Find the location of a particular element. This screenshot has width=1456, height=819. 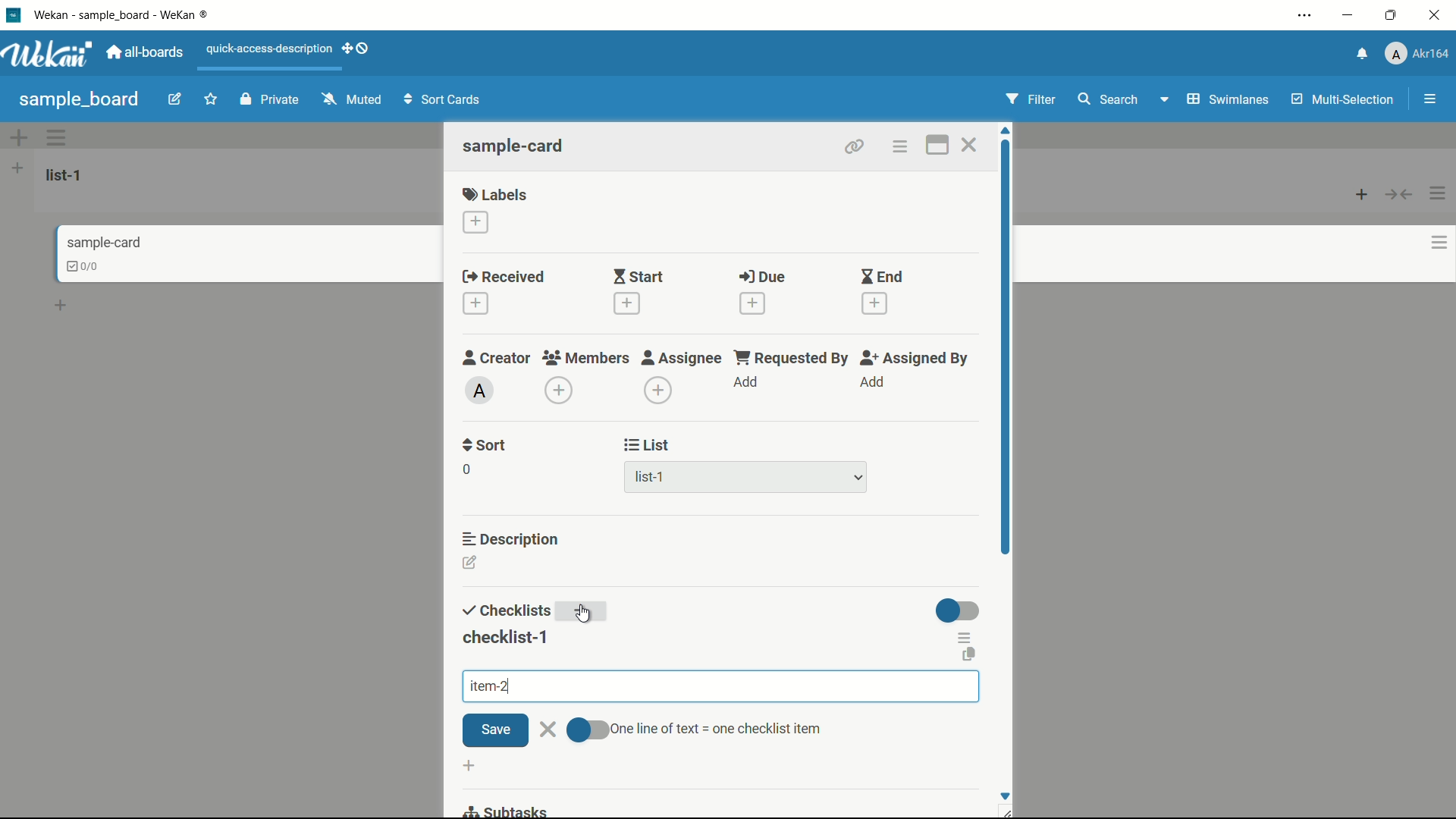

close is located at coordinates (548, 727).